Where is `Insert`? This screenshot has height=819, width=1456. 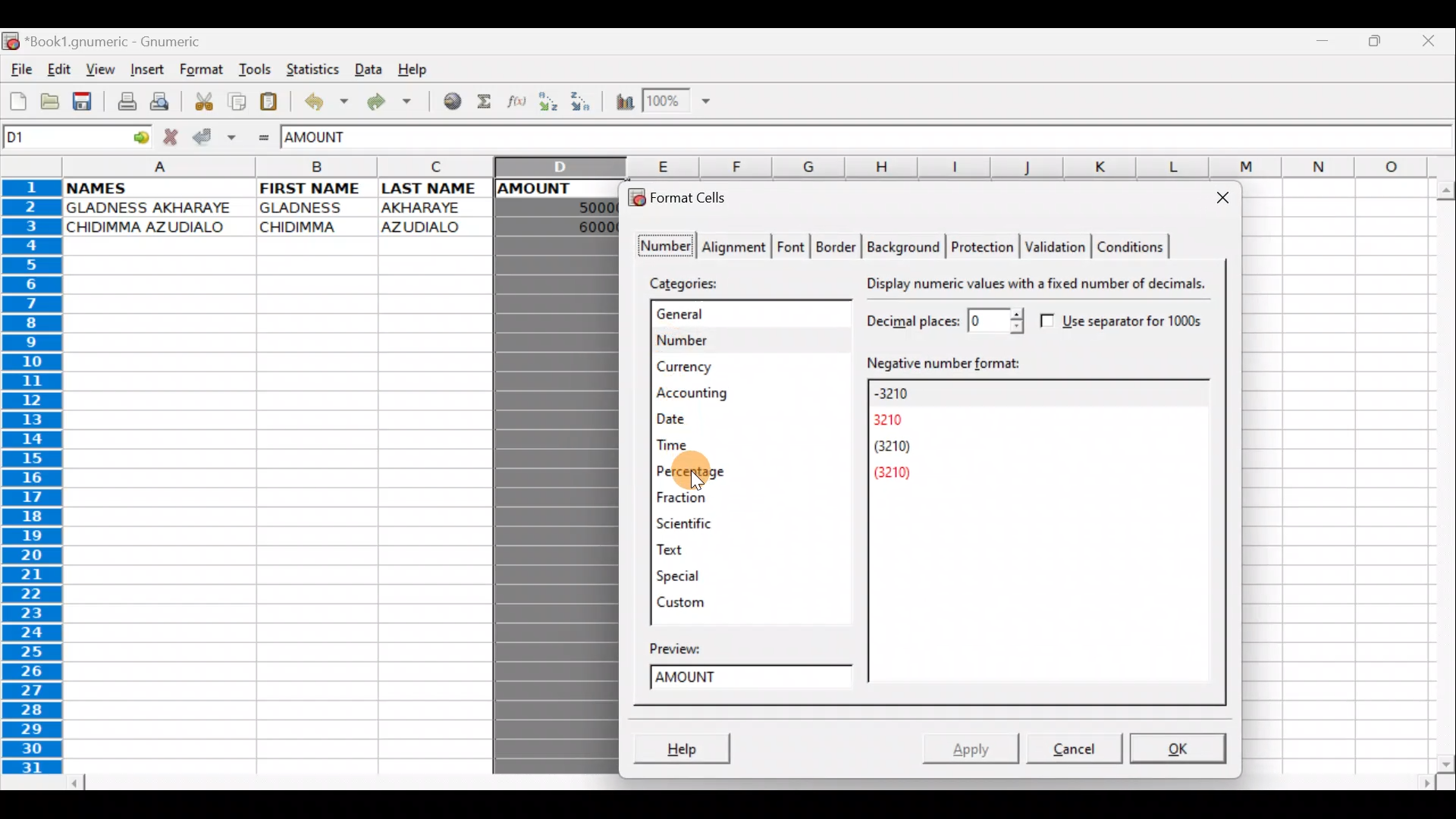 Insert is located at coordinates (146, 72).